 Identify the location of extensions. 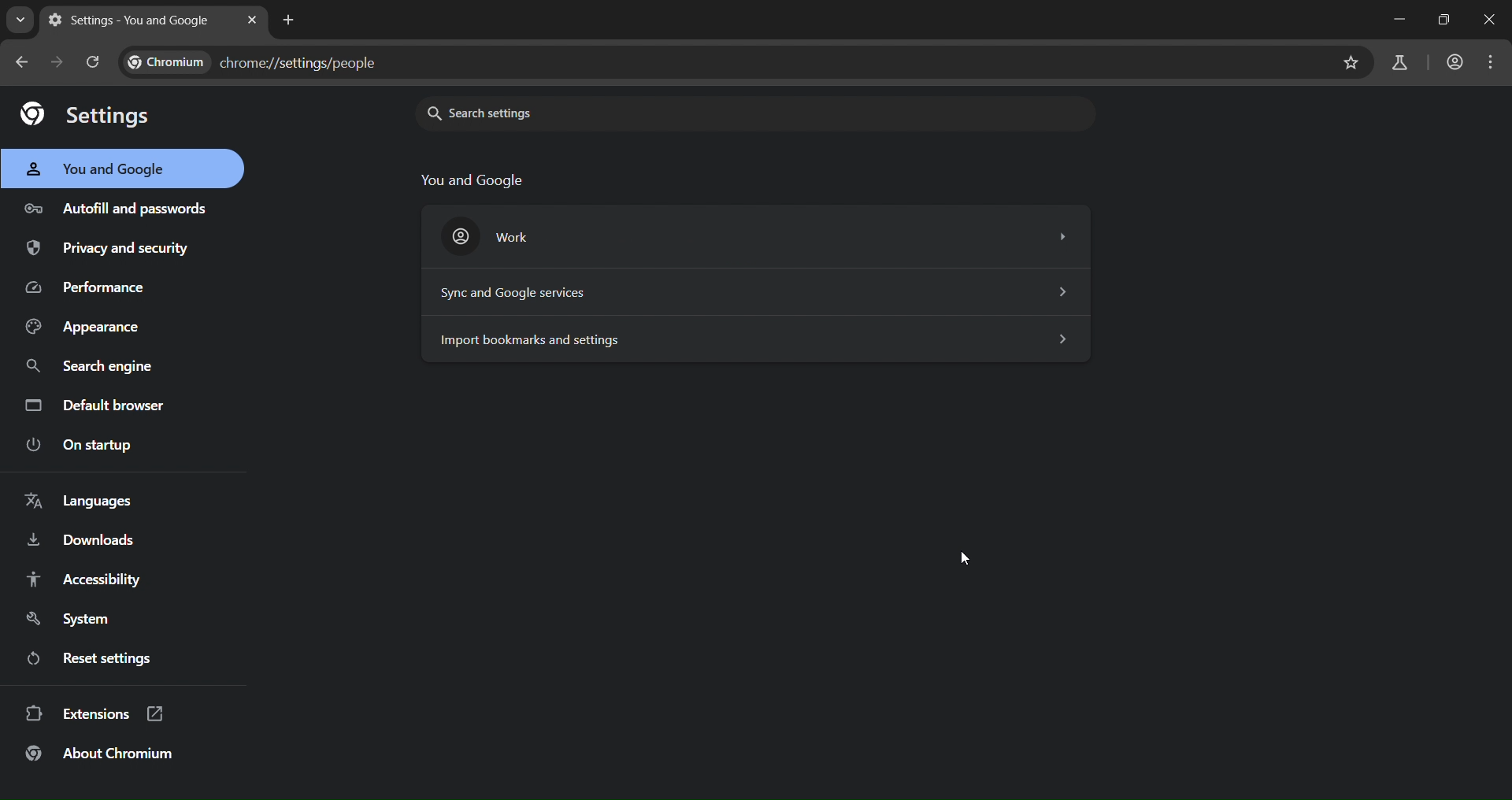
(100, 712).